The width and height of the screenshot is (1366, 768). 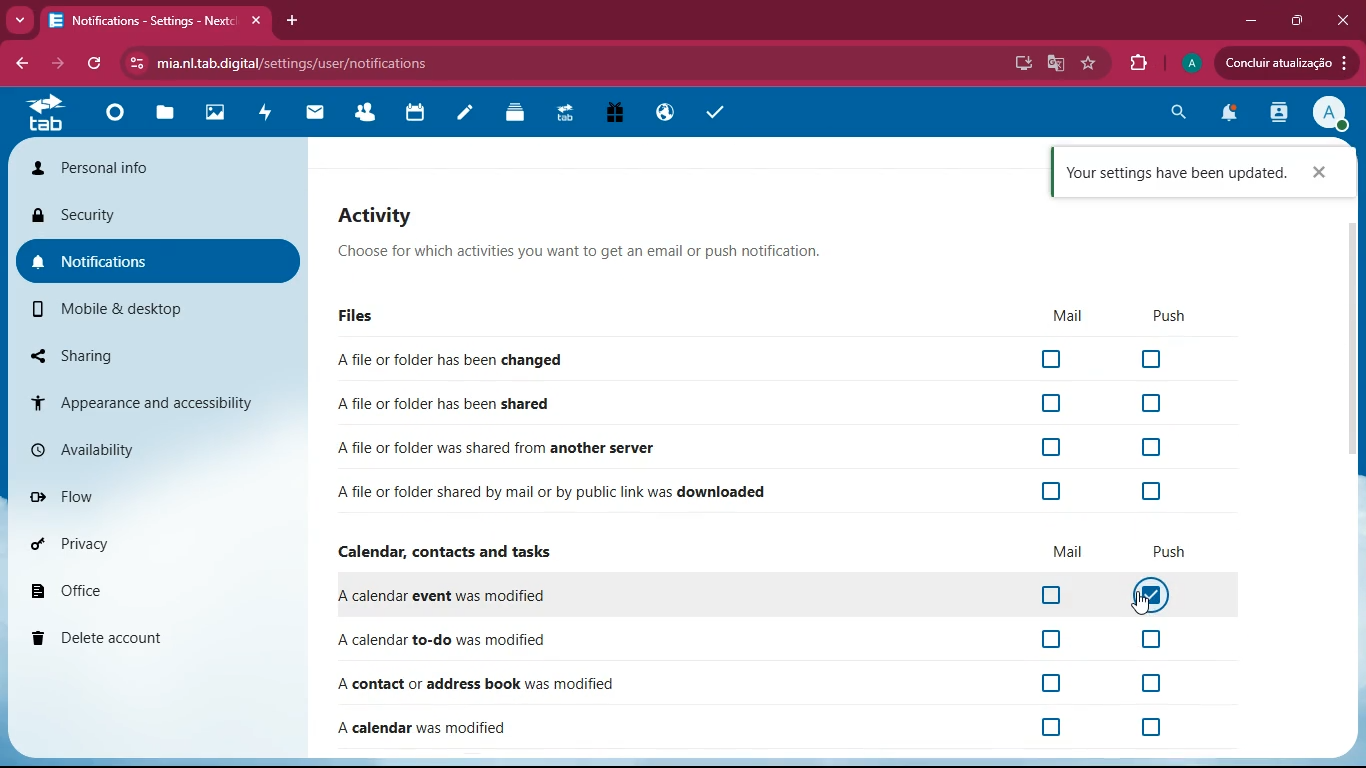 I want to click on home, so click(x=111, y=122).